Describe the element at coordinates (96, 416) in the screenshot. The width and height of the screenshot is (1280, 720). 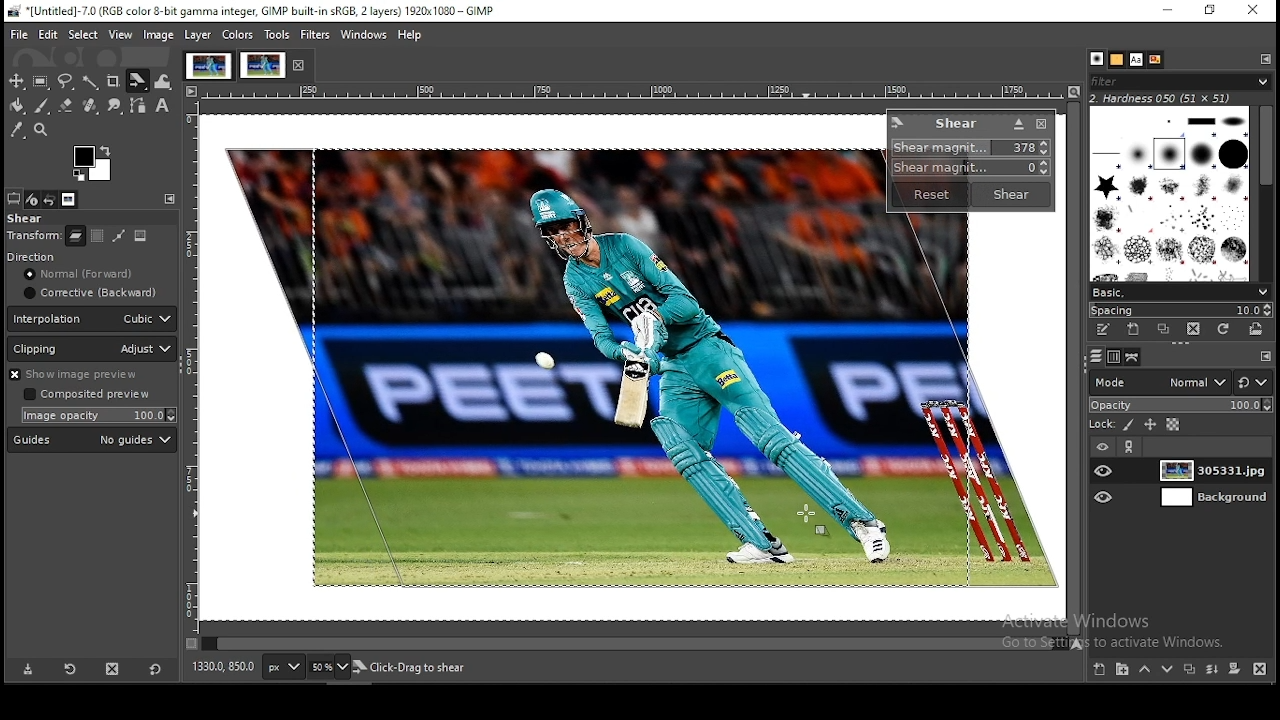
I see `image opacity` at that location.